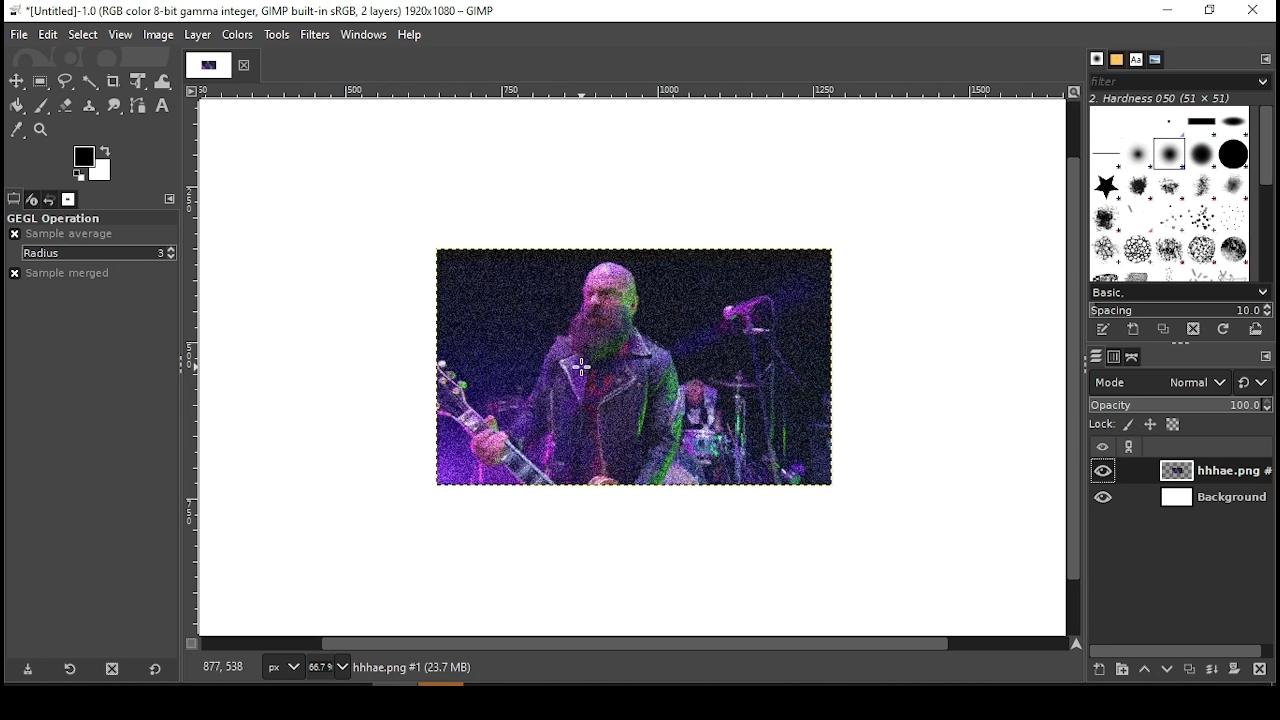 The image size is (1280, 720). What do you see at coordinates (64, 105) in the screenshot?
I see `eraser tool` at bounding box center [64, 105].